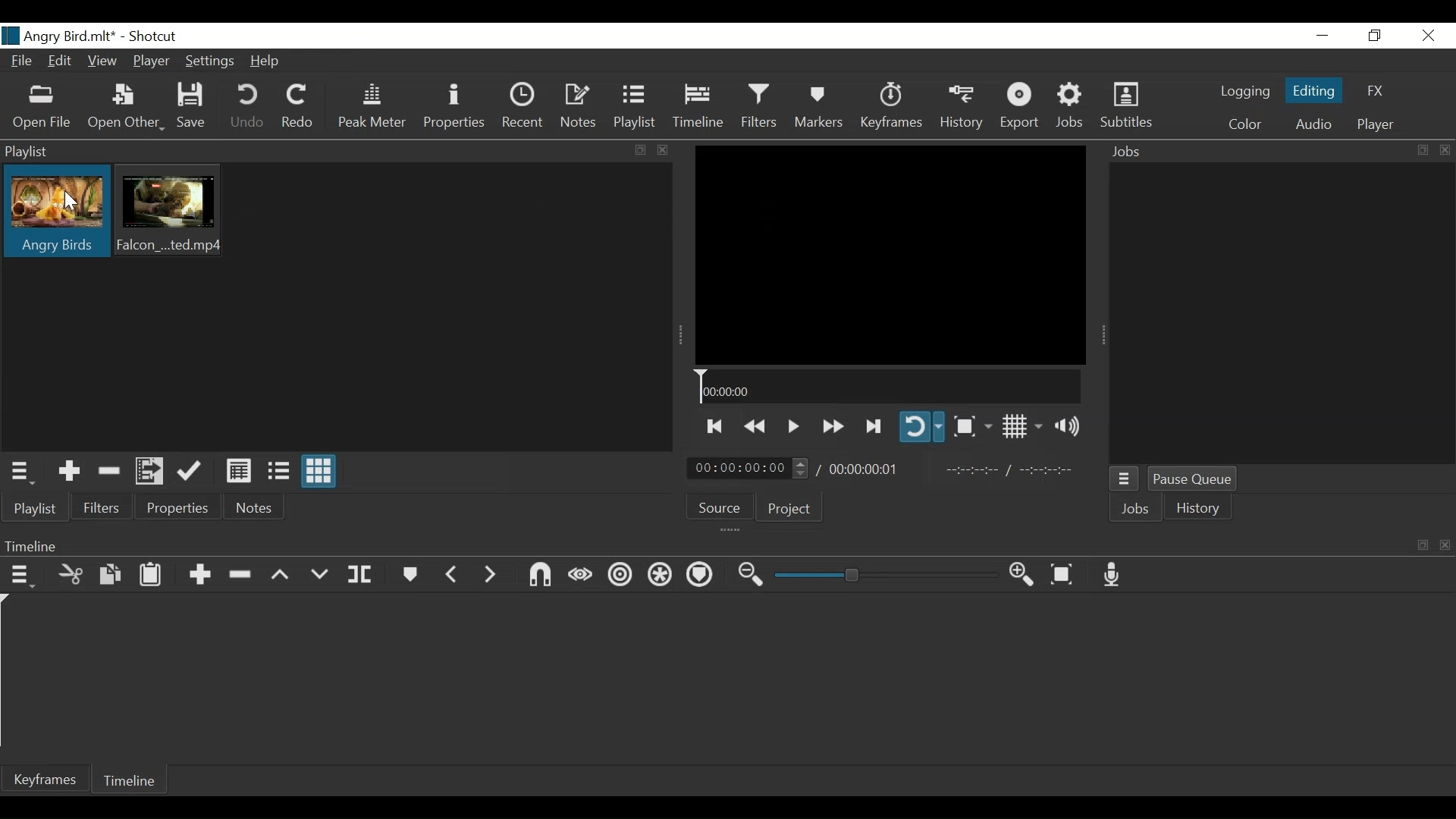 Image resolution: width=1456 pixels, height=819 pixels. Describe the element at coordinates (61, 62) in the screenshot. I see `Edit` at that location.